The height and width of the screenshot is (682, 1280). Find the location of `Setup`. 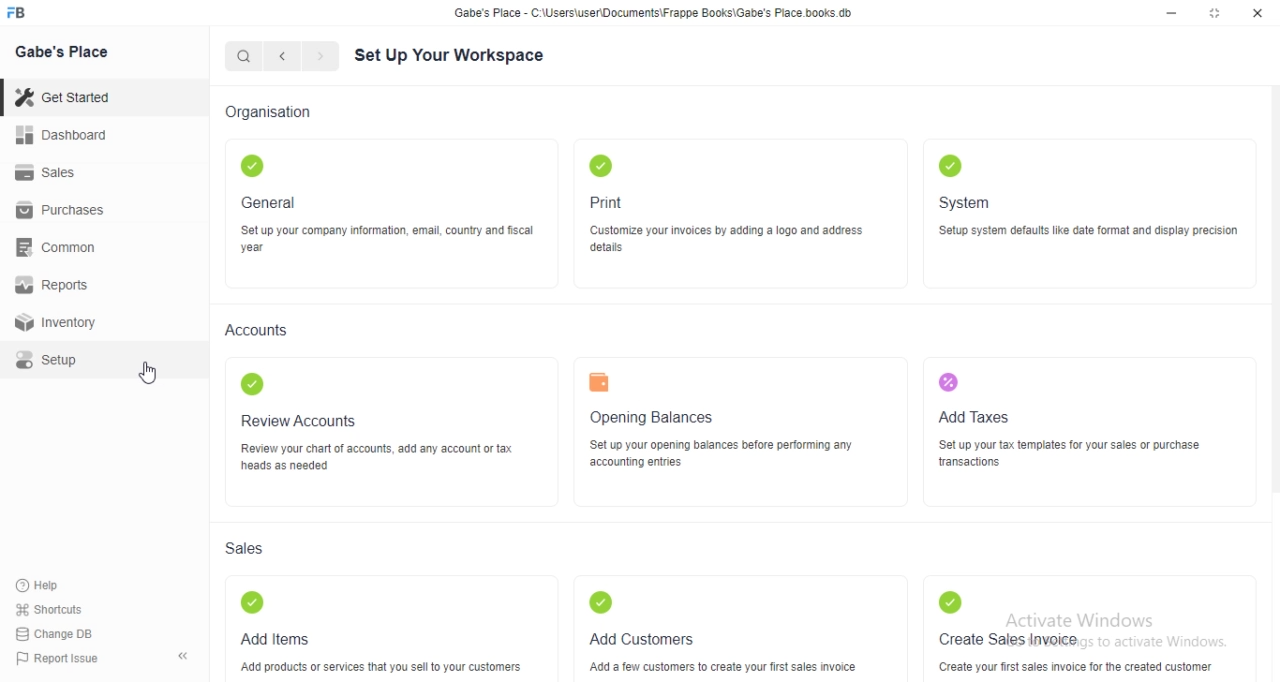

Setup is located at coordinates (68, 360).